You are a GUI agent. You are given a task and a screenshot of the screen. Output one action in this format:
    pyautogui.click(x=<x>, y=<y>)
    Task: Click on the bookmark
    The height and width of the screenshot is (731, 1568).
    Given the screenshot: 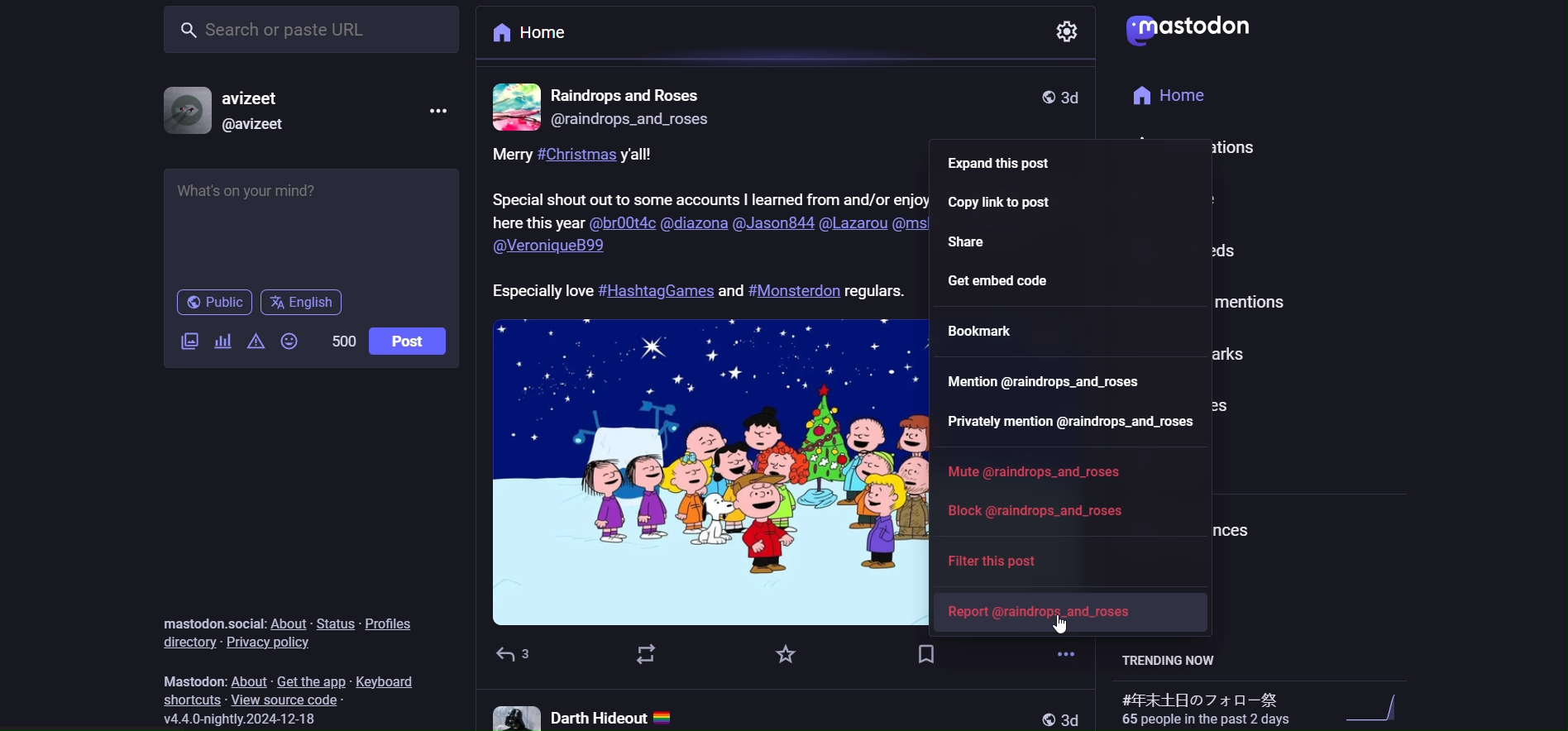 What is the action you would take?
    pyautogui.click(x=982, y=329)
    